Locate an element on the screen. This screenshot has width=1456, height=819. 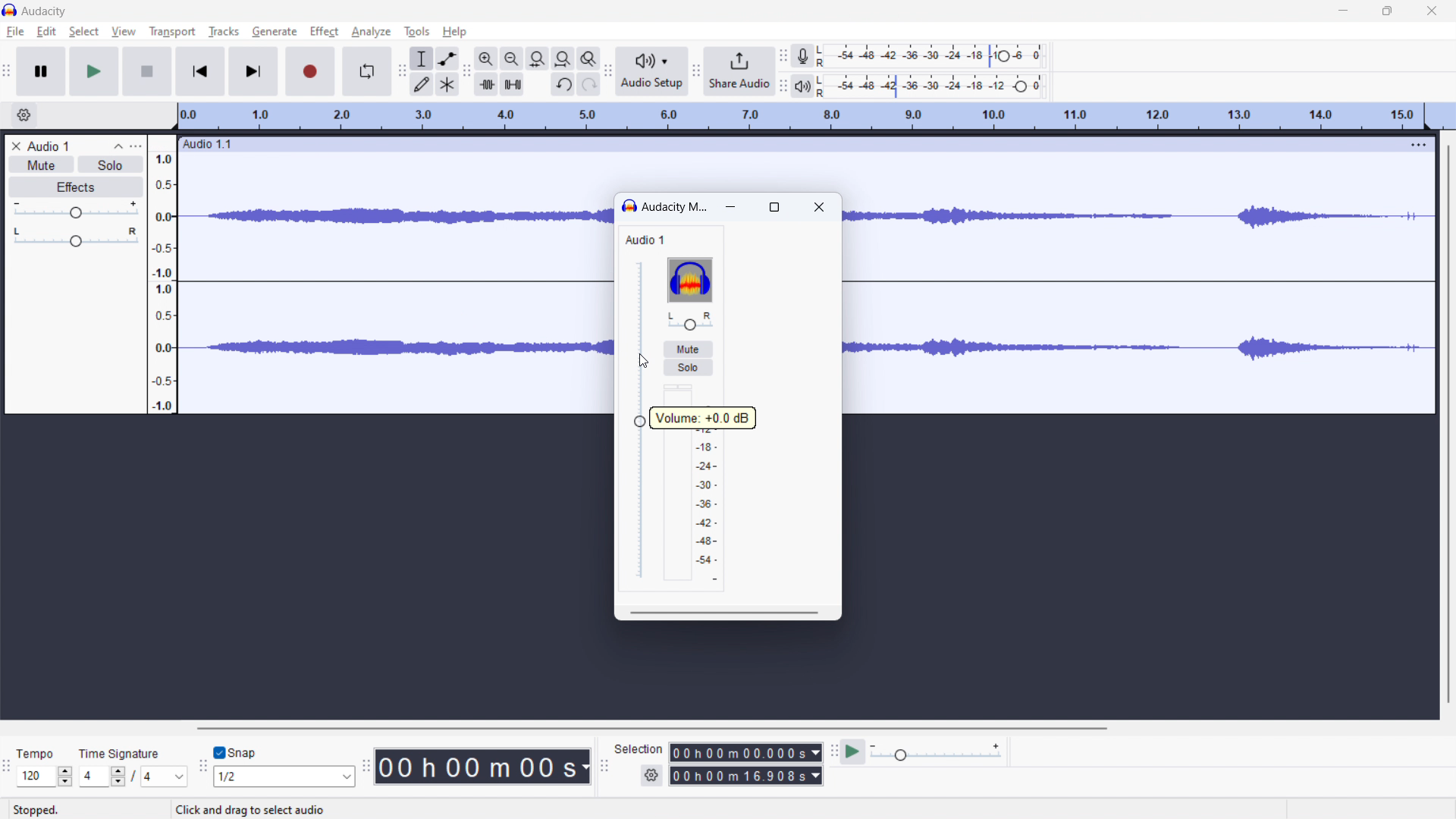
mute is located at coordinates (42, 165).